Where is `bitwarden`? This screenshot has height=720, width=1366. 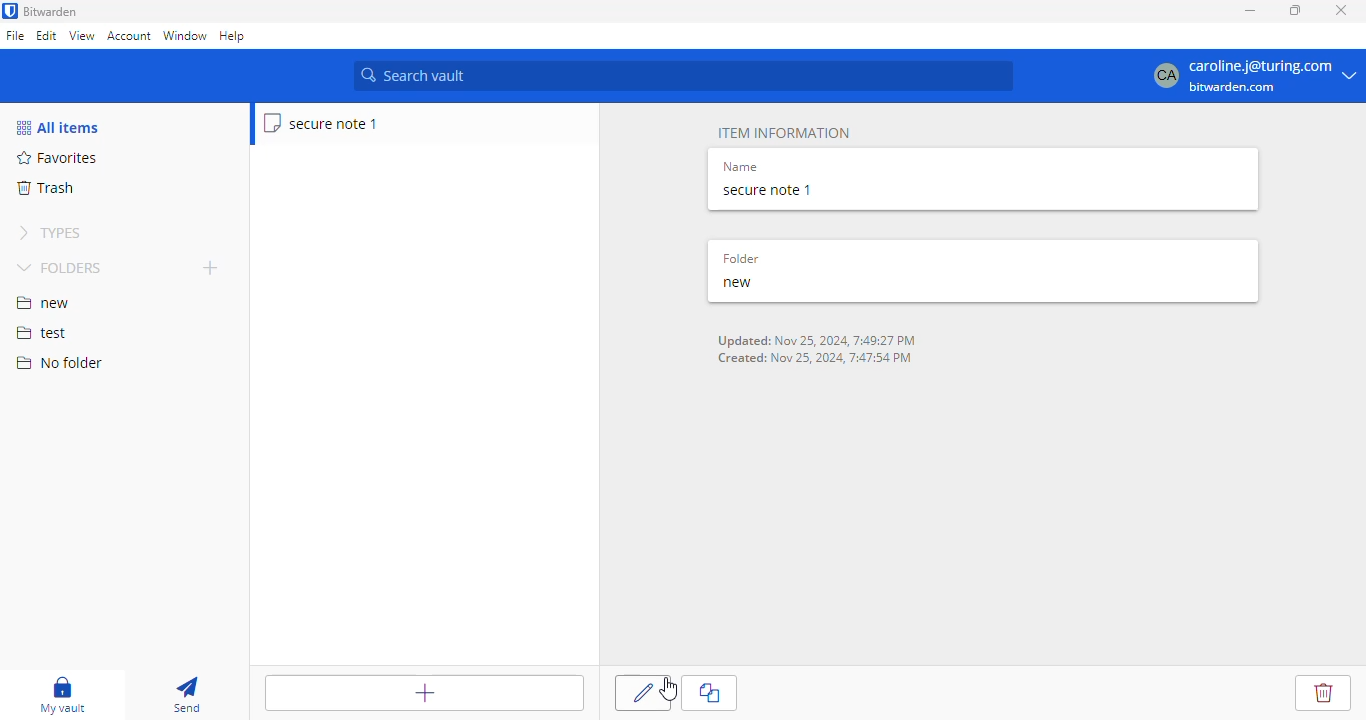
bitwarden is located at coordinates (51, 12).